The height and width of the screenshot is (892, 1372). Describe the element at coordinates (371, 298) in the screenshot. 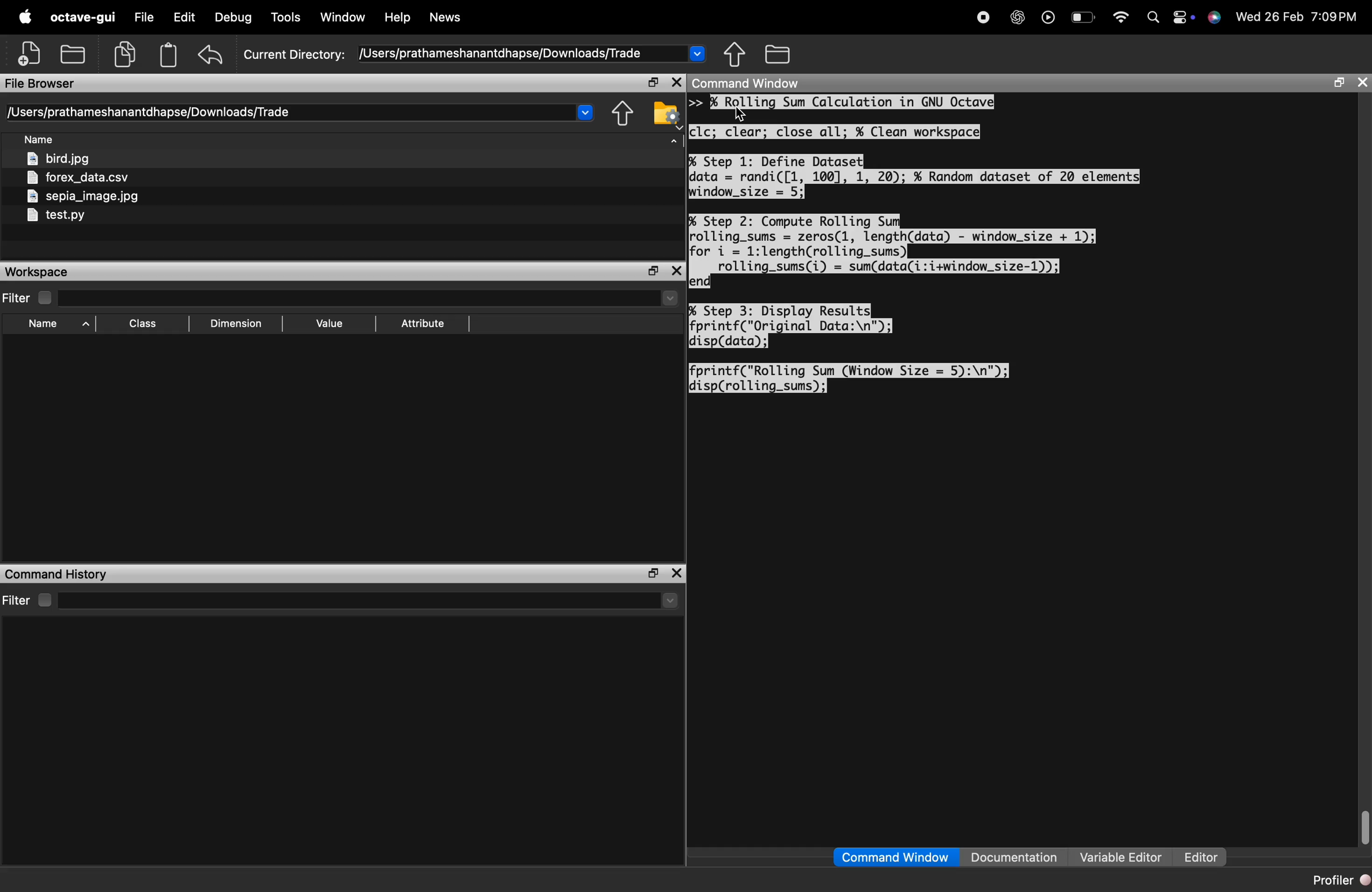

I see `select directory ` at that location.